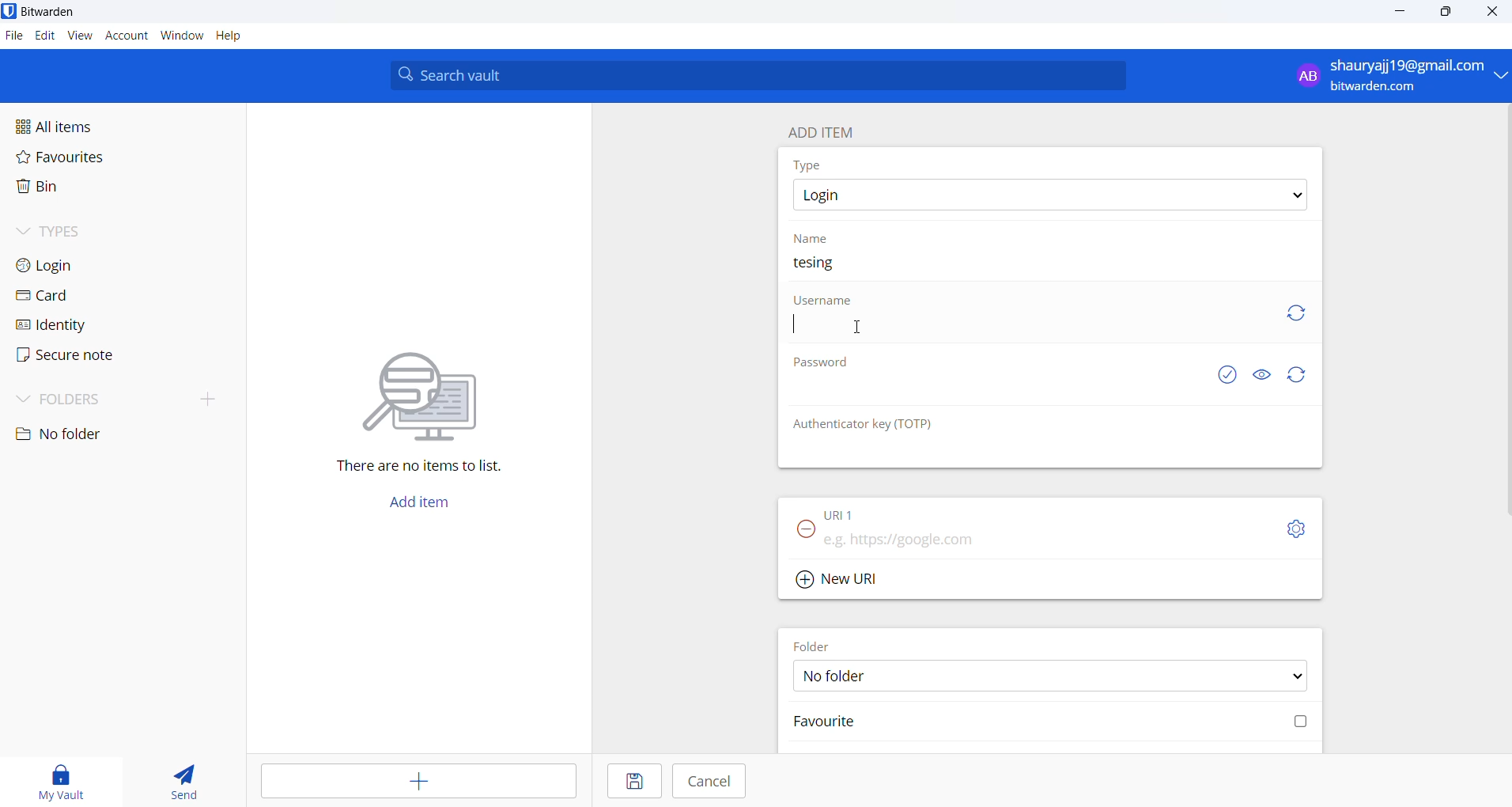 Image resolution: width=1512 pixels, height=807 pixels. What do you see at coordinates (813, 645) in the screenshot?
I see `FOLDER` at bounding box center [813, 645].